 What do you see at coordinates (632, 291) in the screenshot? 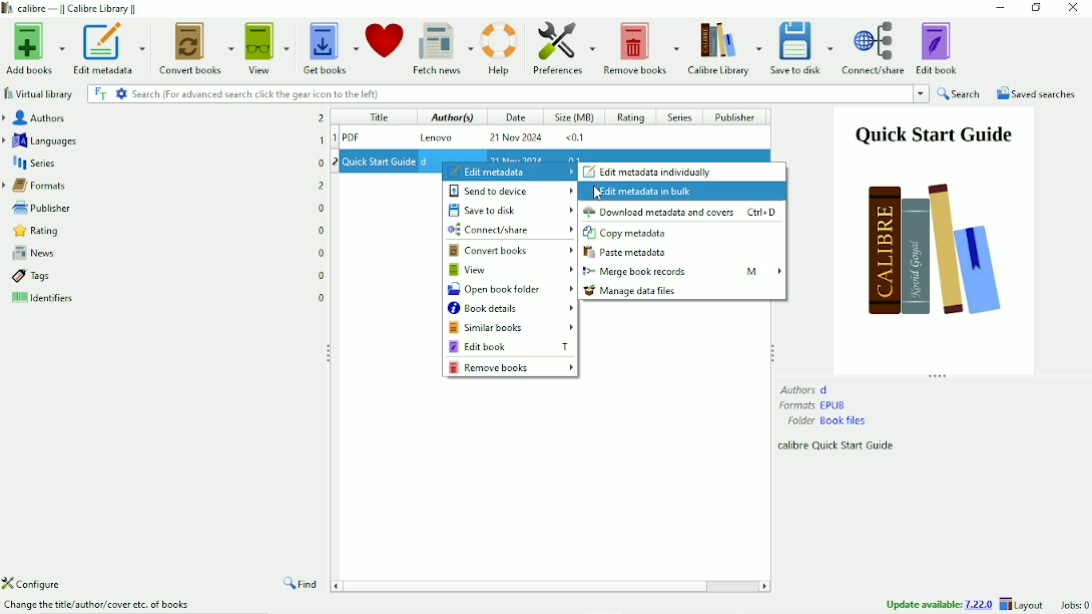
I see `Manage data files` at bounding box center [632, 291].